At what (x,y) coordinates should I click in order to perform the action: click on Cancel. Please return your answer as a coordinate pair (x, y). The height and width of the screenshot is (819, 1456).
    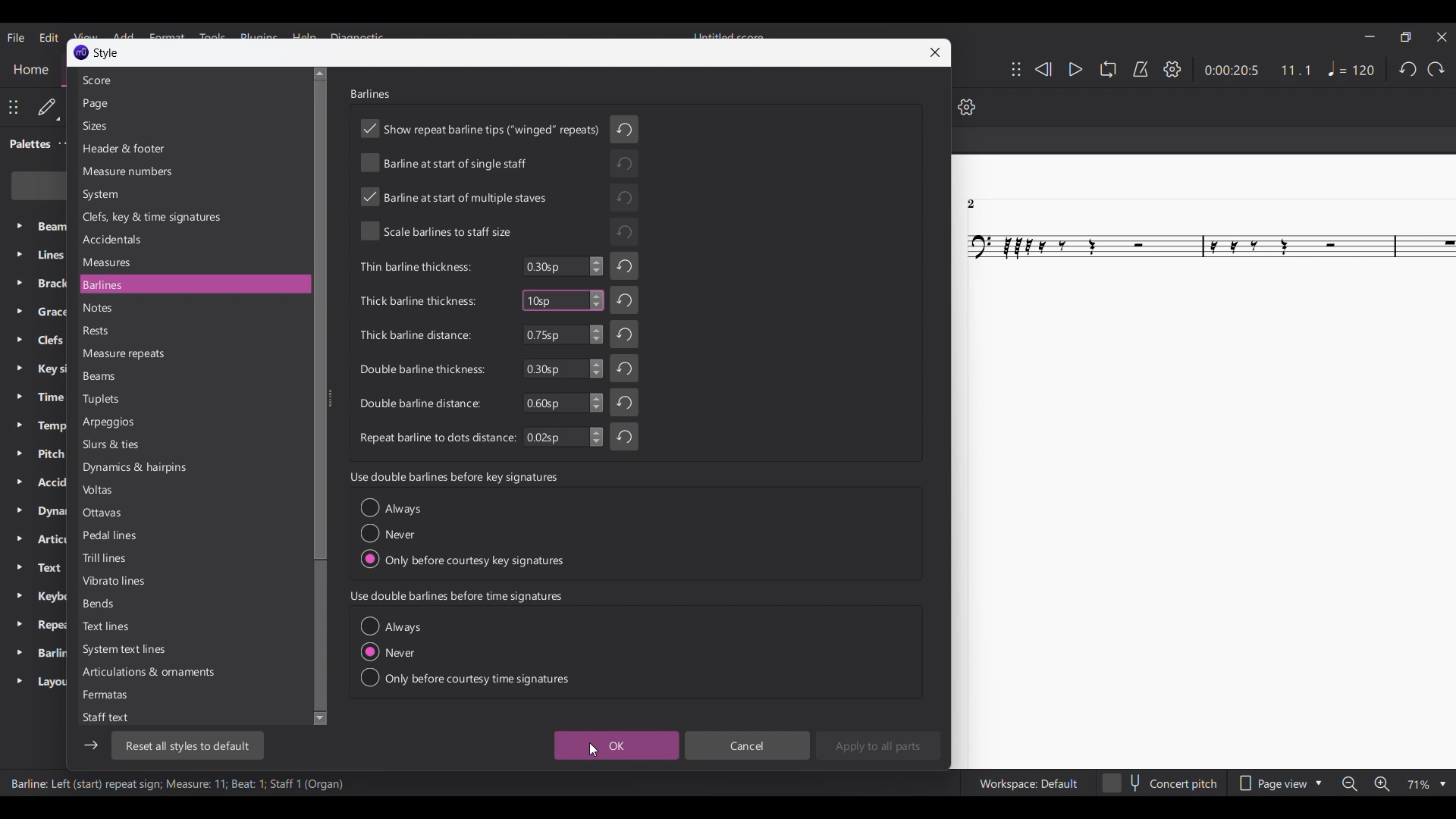
    Looking at the image, I should click on (748, 745).